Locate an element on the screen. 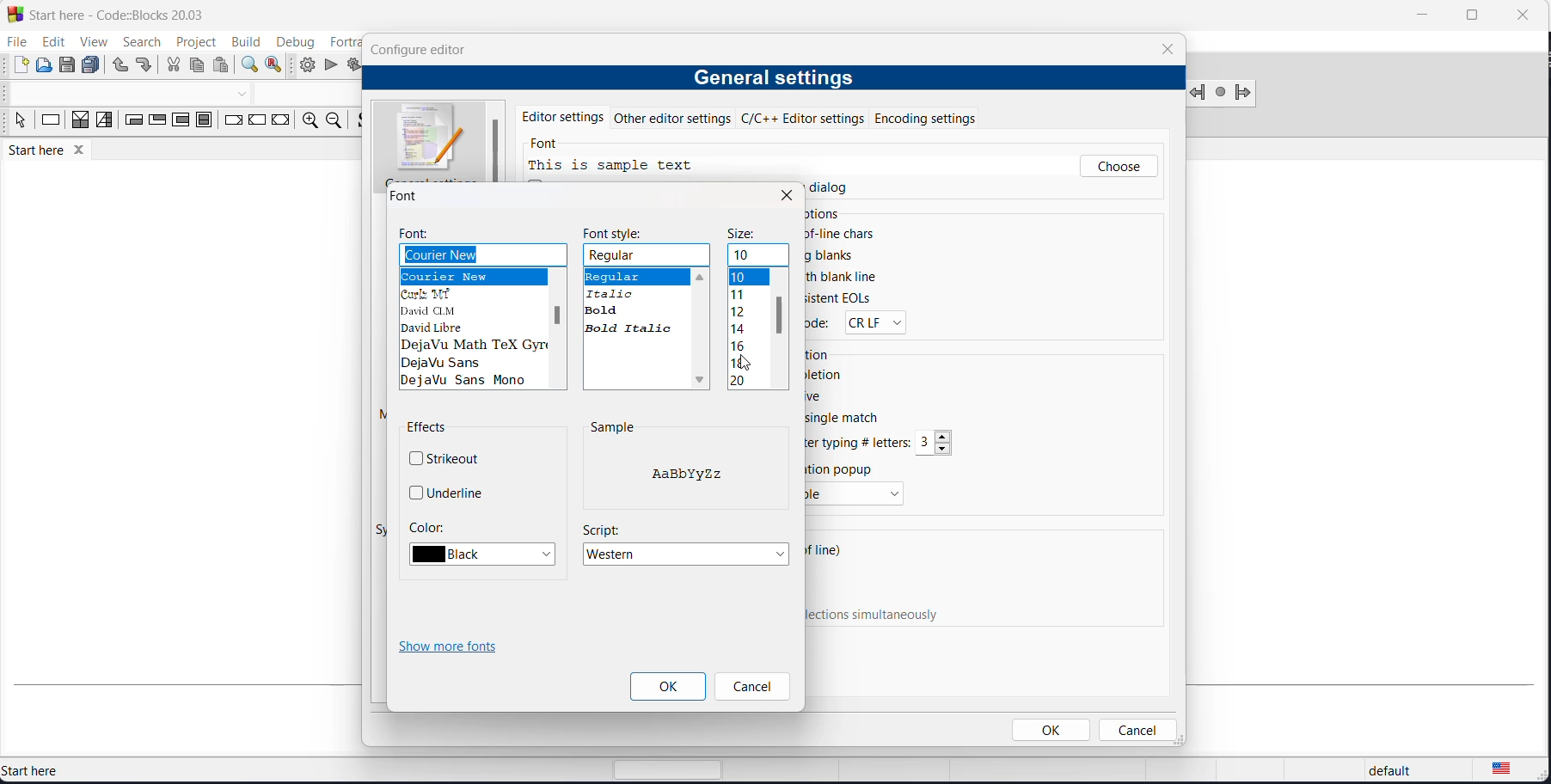  close is located at coordinates (1168, 49).